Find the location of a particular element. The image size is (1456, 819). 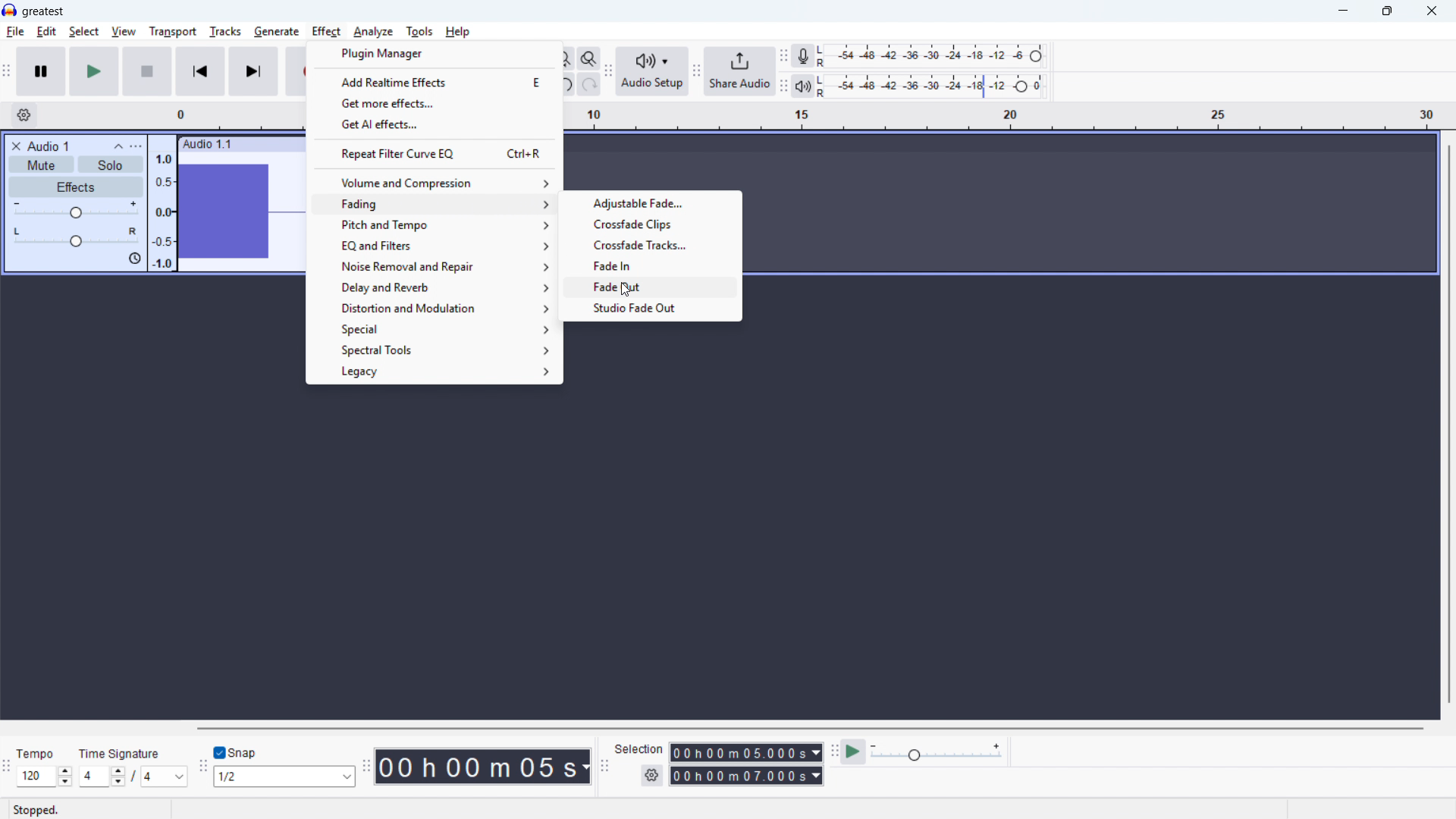

Crossfade tracks  is located at coordinates (652, 243).